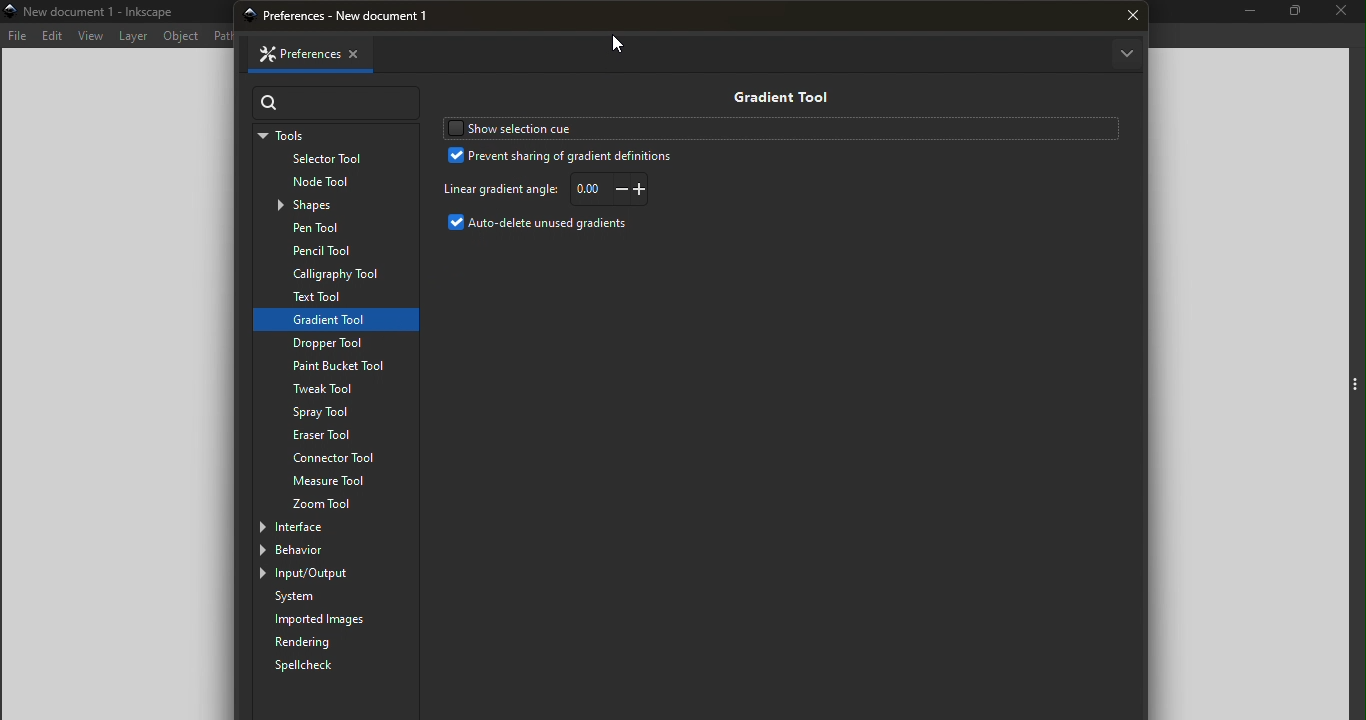 The height and width of the screenshot is (720, 1366). I want to click on Tweak tool, so click(331, 390).